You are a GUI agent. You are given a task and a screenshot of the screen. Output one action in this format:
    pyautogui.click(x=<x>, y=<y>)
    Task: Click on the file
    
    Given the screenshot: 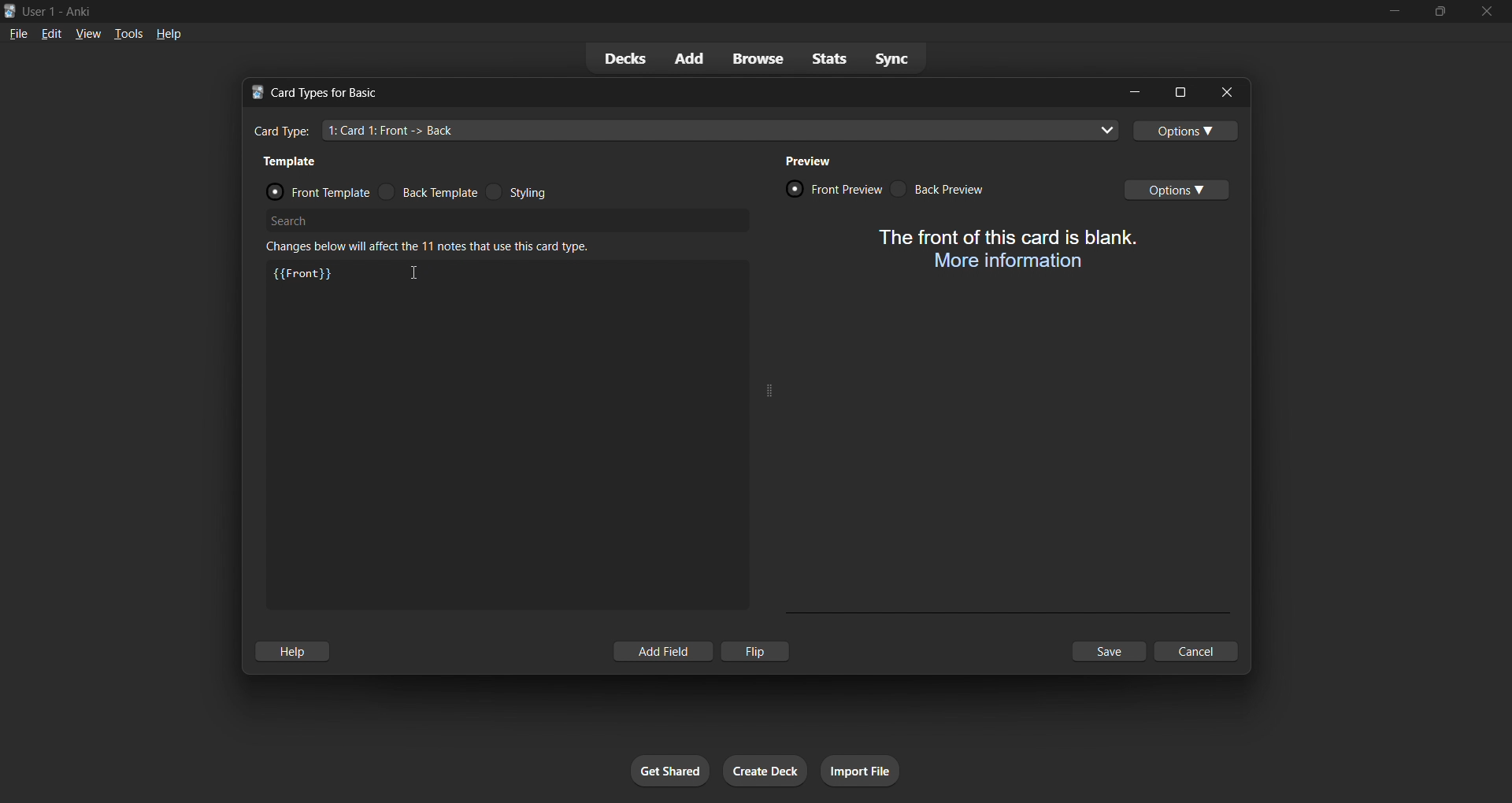 What is the action you would take?
    pyautogui.click(x=20, y=33)
    